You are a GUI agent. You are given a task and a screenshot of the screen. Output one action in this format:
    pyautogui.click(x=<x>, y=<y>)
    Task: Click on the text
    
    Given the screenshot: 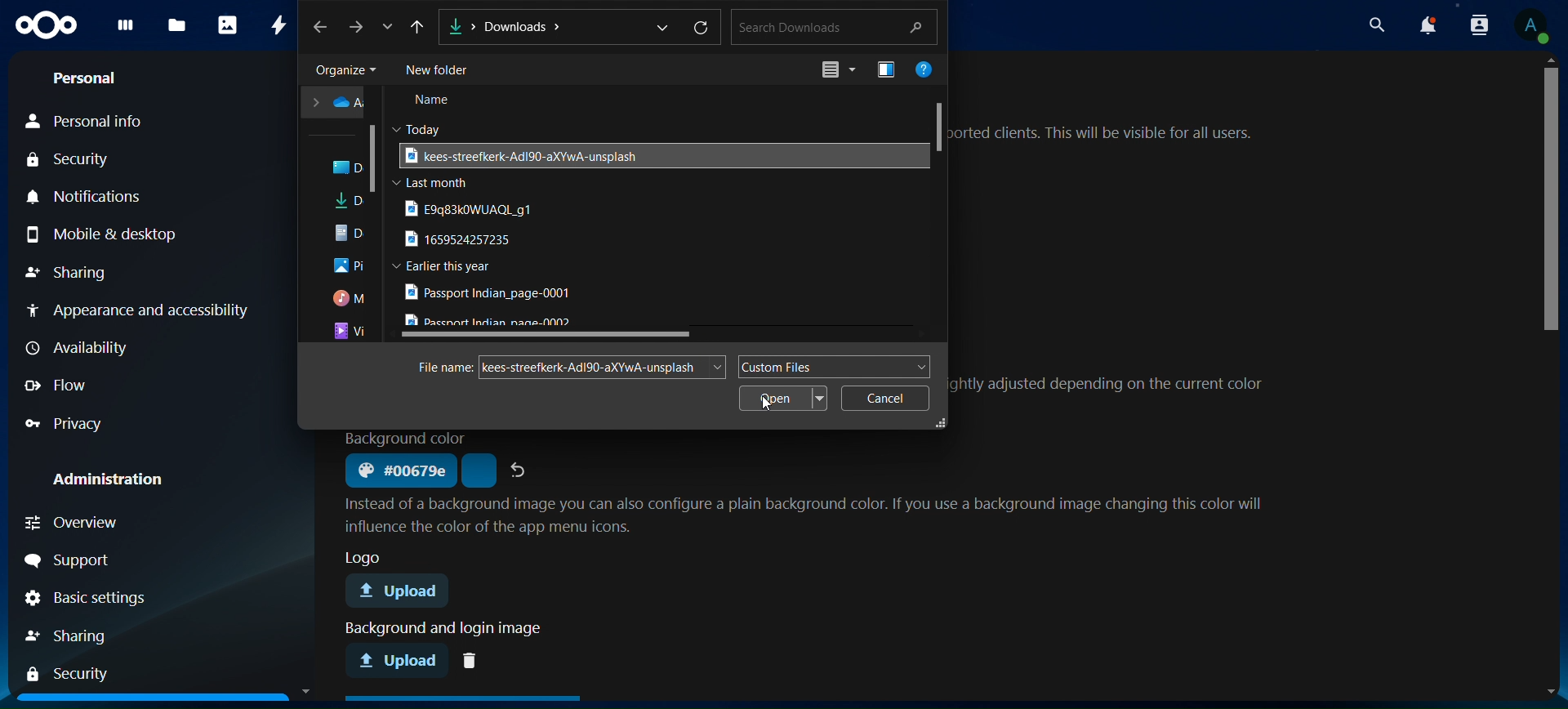 What is the action you would take?
    pyautogui.click(x=438, y=629)
    